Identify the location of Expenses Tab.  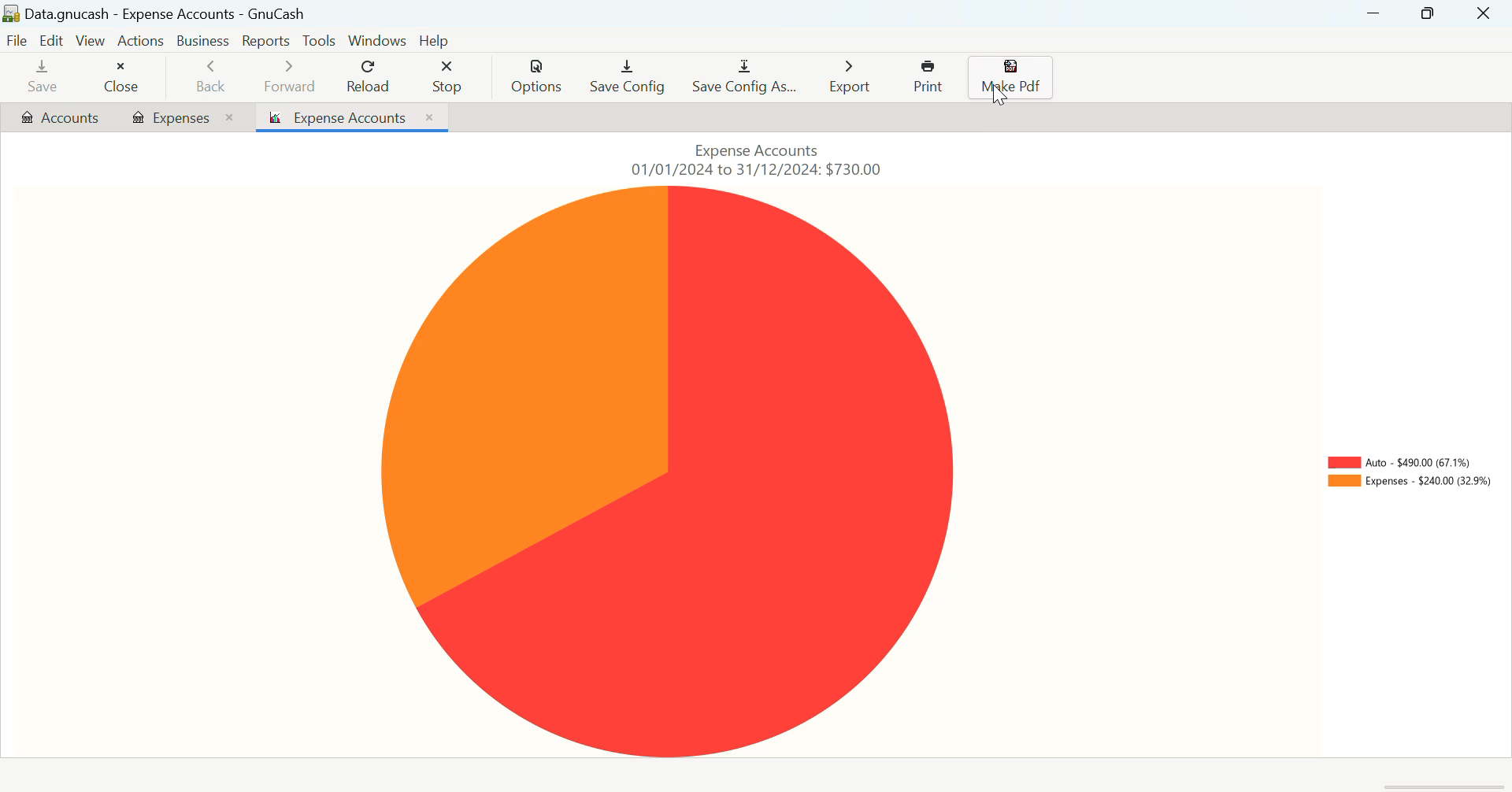
(183, 117).